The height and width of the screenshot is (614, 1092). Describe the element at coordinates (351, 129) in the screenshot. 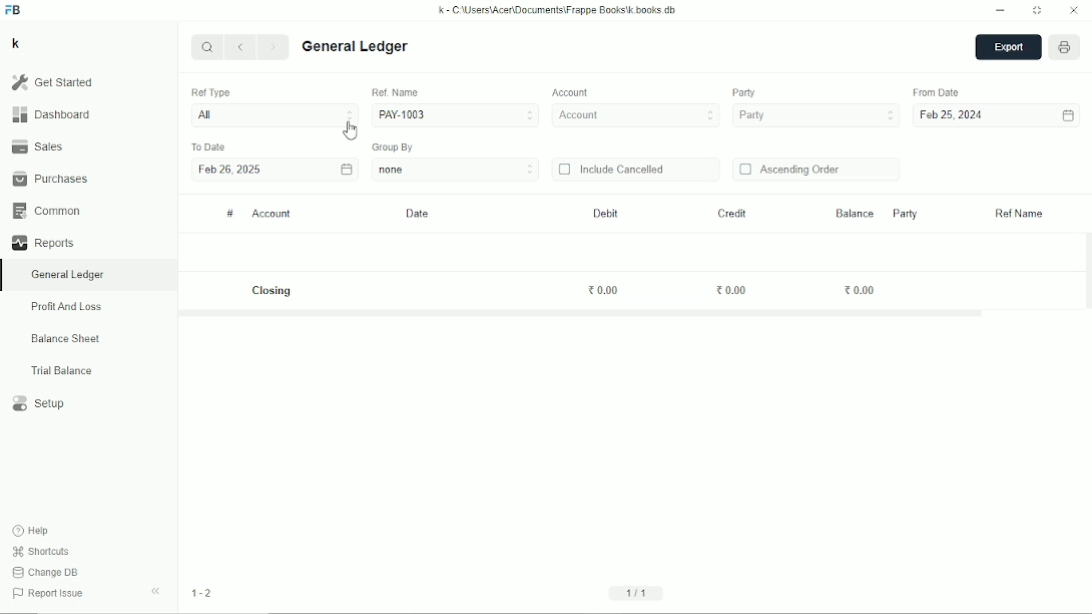

I see `Cursor` at that location.